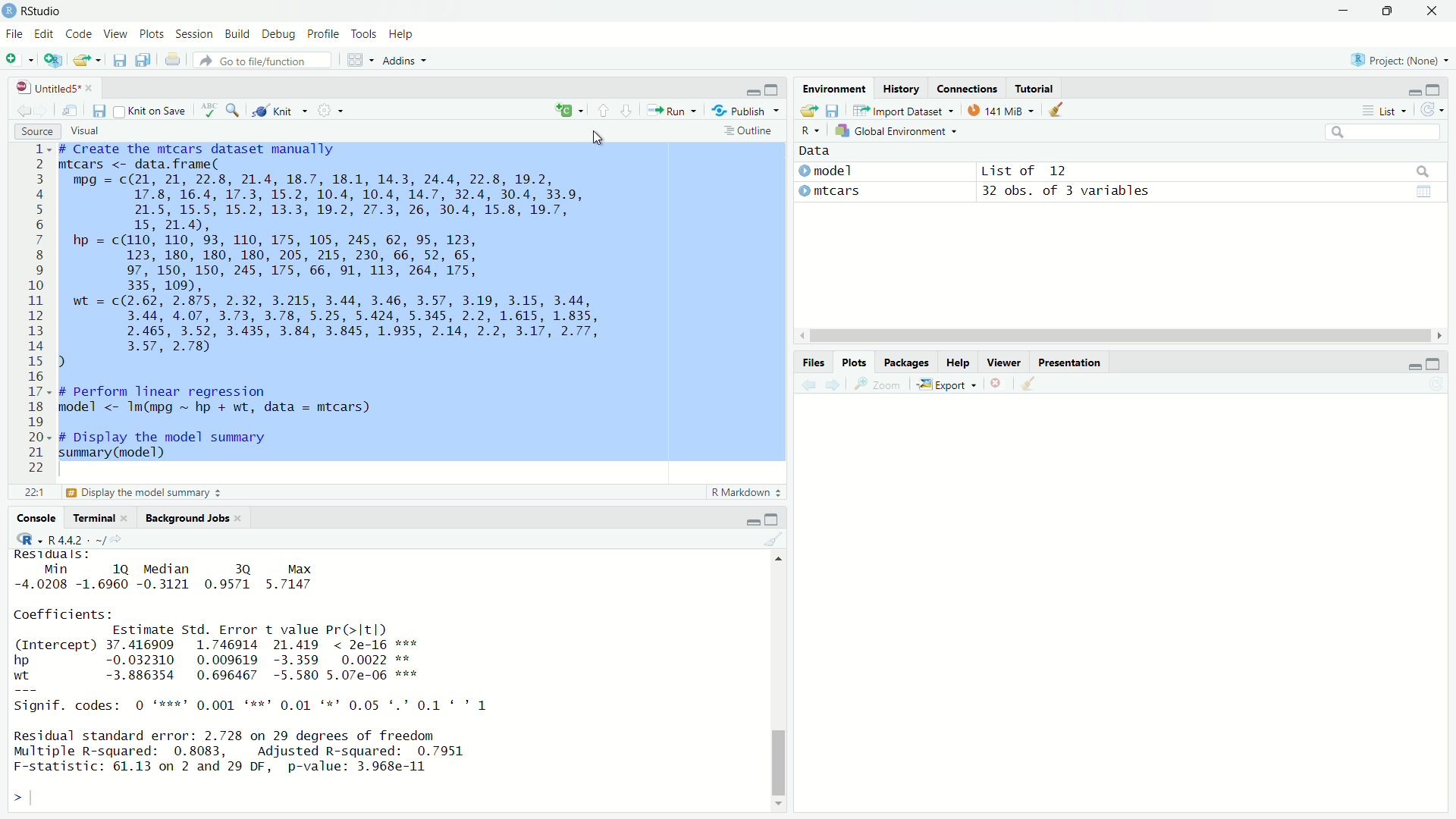 Image resolution: width=1456 pixels, height=819 pixels. Describe the element at coordinates (833, 89) in the screenshot. I see `Environment` at that location.